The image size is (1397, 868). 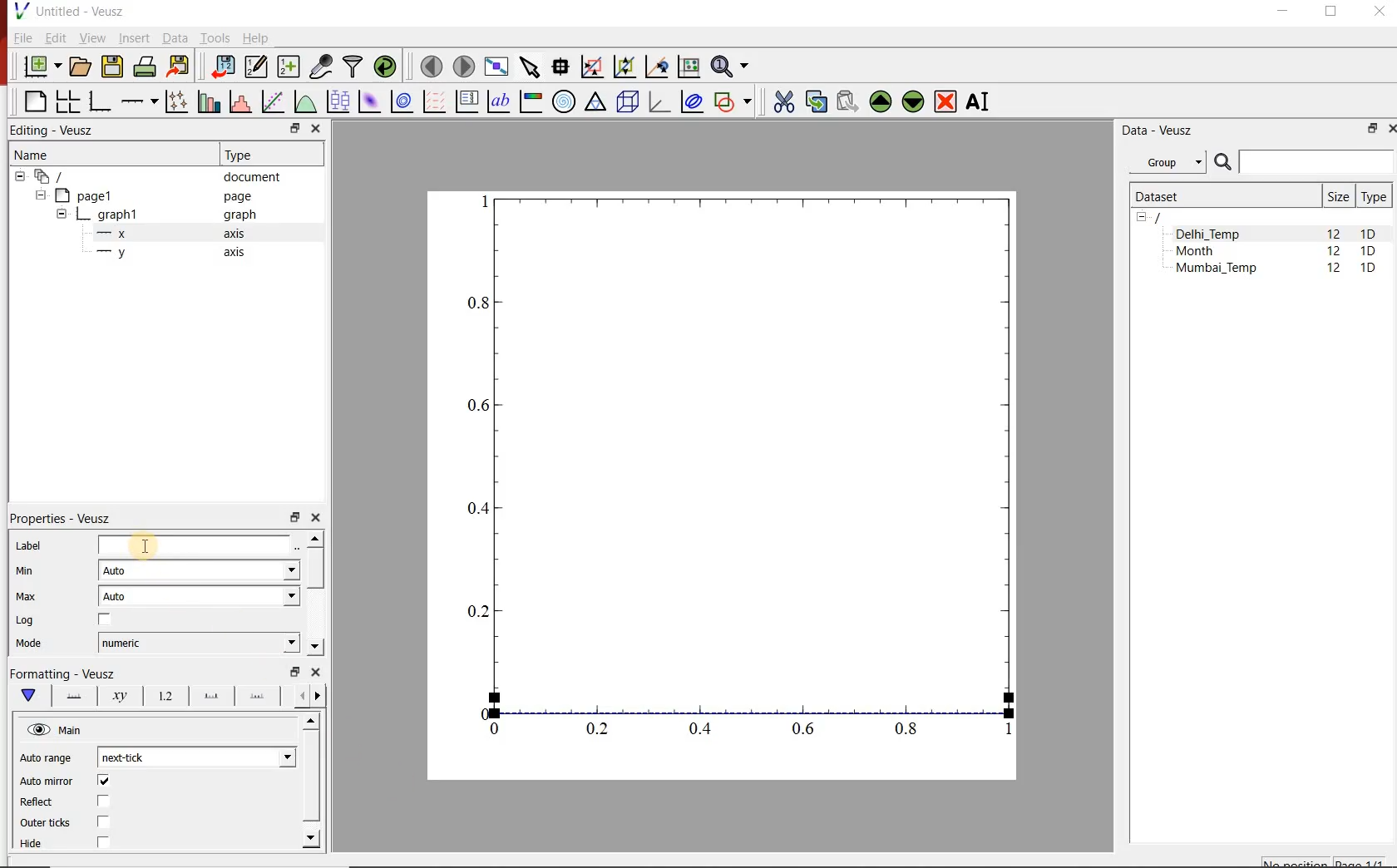 I want to click on graph1, so click(x=741, y=474).